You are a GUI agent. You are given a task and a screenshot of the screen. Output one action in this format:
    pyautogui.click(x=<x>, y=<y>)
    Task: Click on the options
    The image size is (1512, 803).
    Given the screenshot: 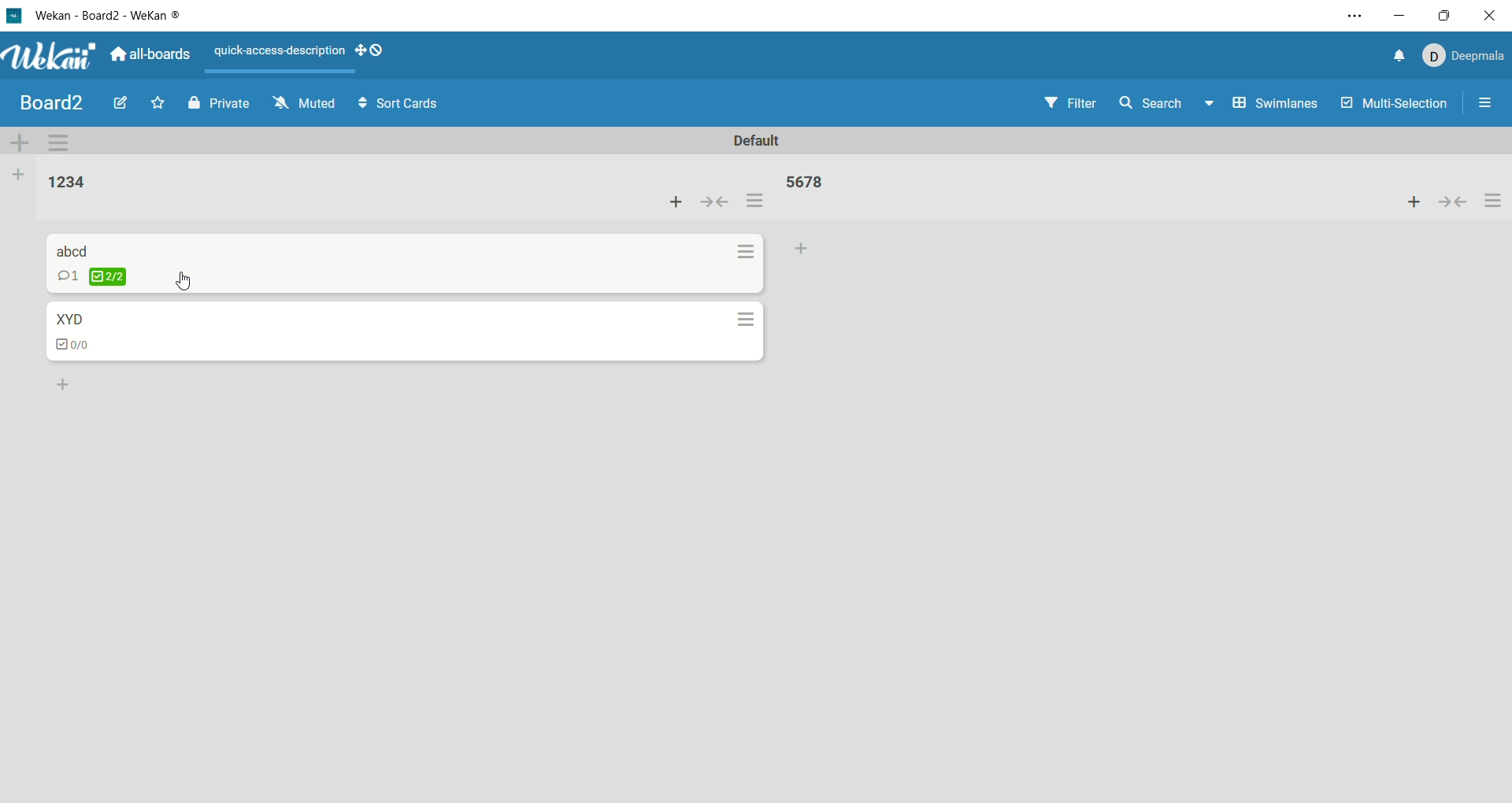 What is the action you would take?
    pyautogui.click(x=1494, y=202)
    